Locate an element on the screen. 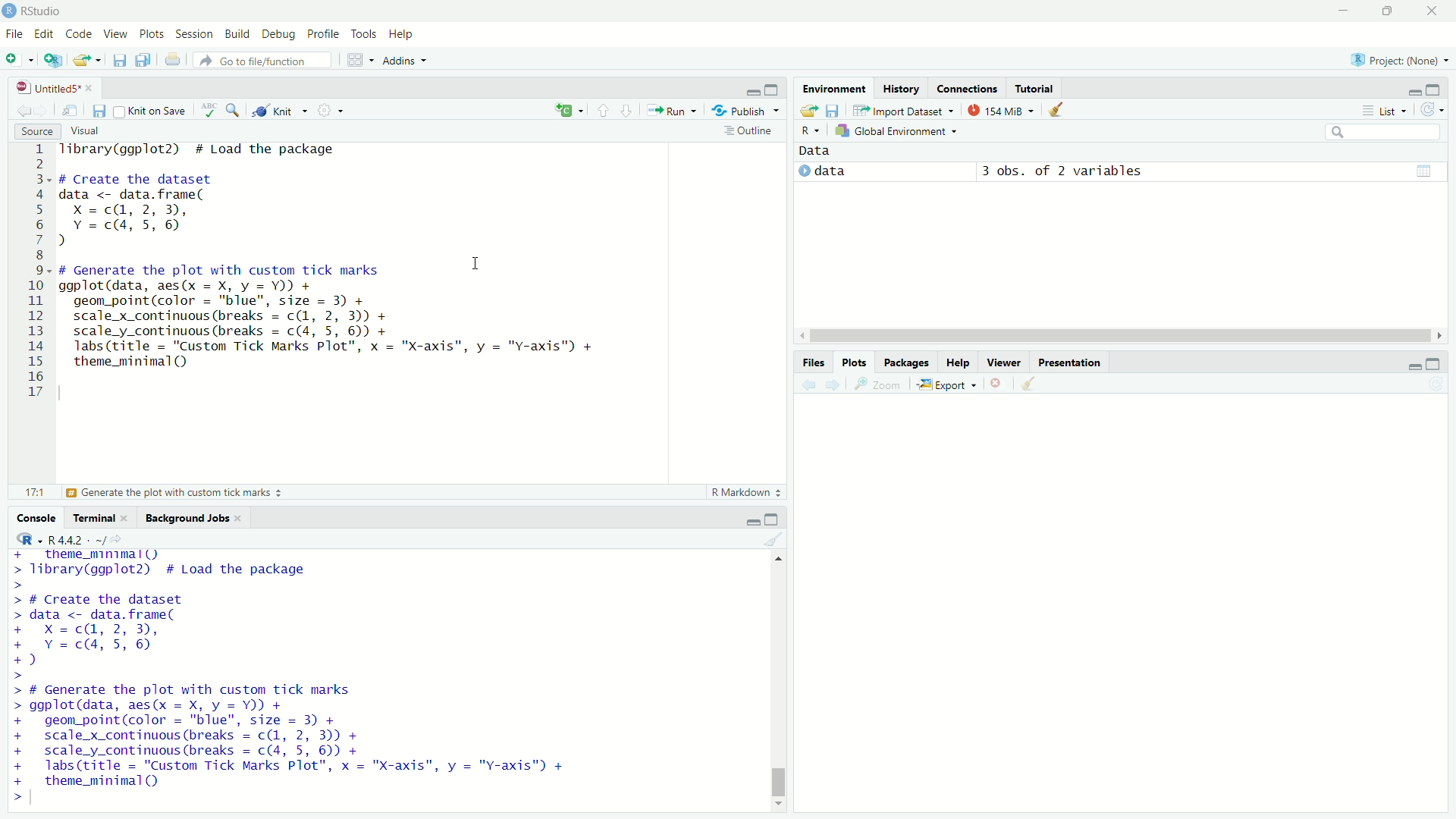 This screenshot has height=819, width=1456. session is located at coordinates (194, 34).